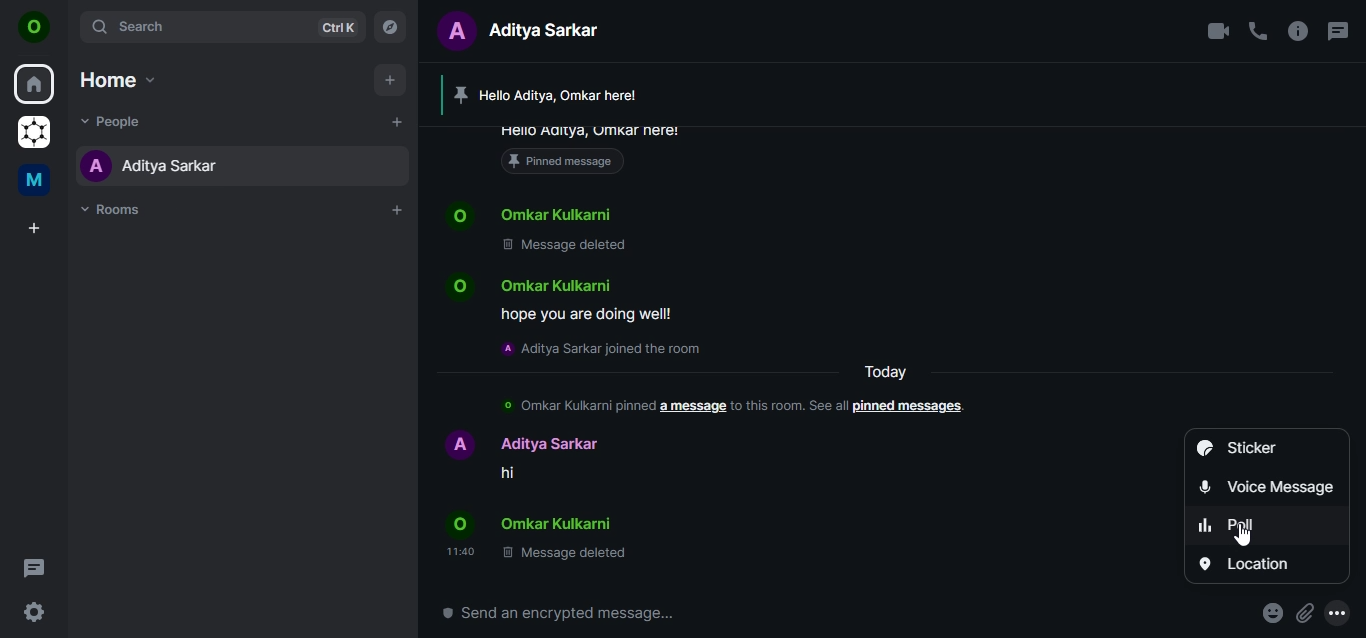 Image resolution: width=1366 pixels, height=638 pixels. What do you see at coordinates (570, 404) in the screenshot?
I see `© Omkar Kulkarni pinned a message to this room. See all pinned messages` at bounding box center [570, 404].